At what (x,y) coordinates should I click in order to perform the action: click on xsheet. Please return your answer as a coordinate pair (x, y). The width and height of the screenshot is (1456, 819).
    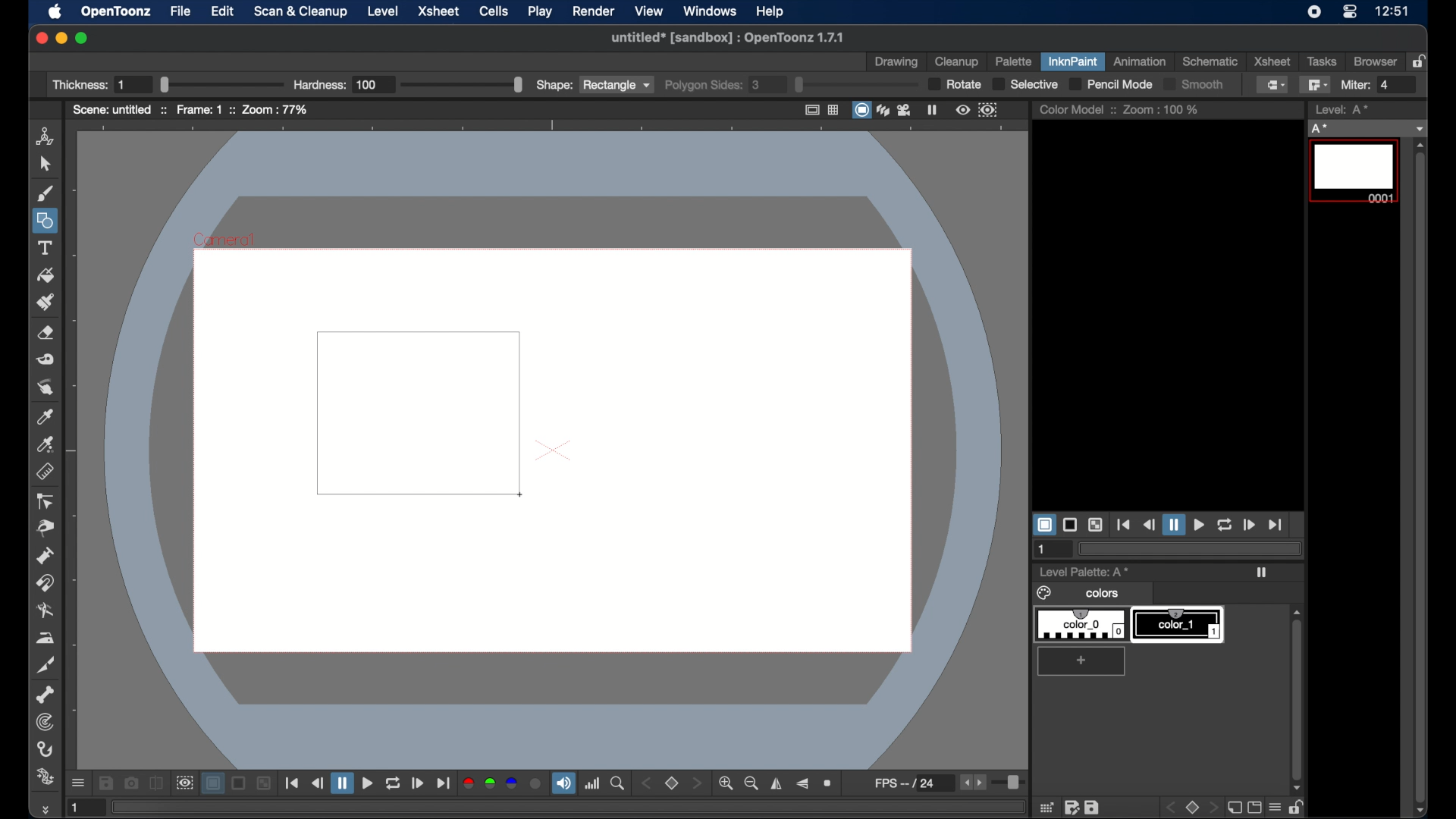
    Looking at the image, I should click on (441, 12).